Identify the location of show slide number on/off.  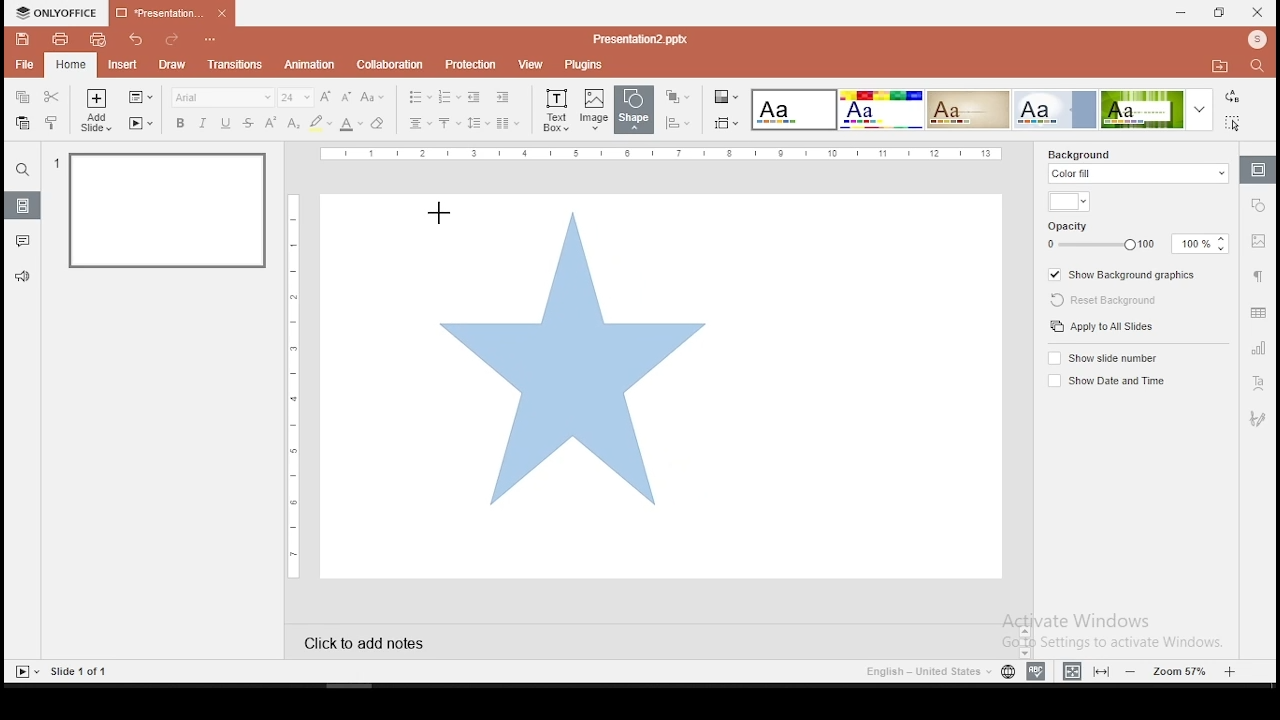
(1105, 359).